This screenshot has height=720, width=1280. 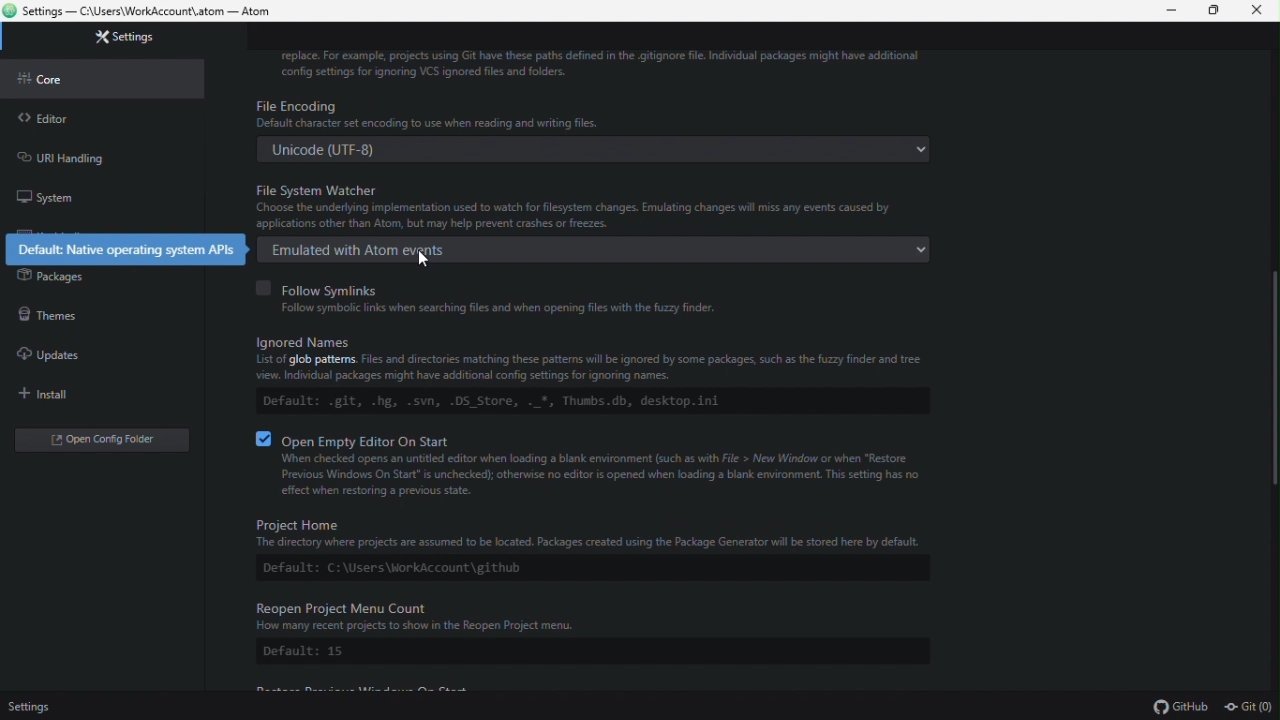 I want to click on © Open Empty Editor On Start, so click(x=360, y=438).